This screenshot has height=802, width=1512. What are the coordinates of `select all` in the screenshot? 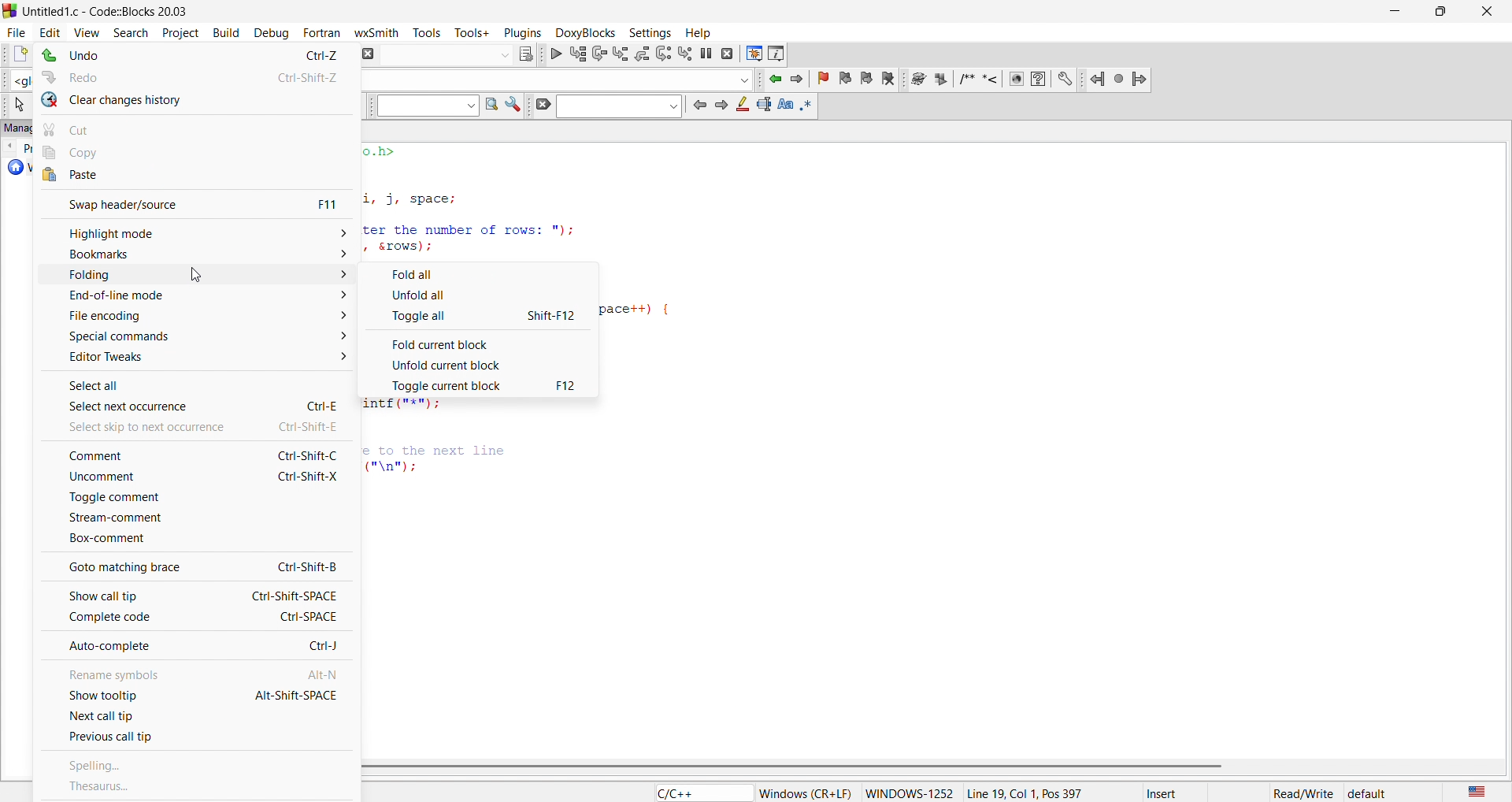 It's located at (197, 381).